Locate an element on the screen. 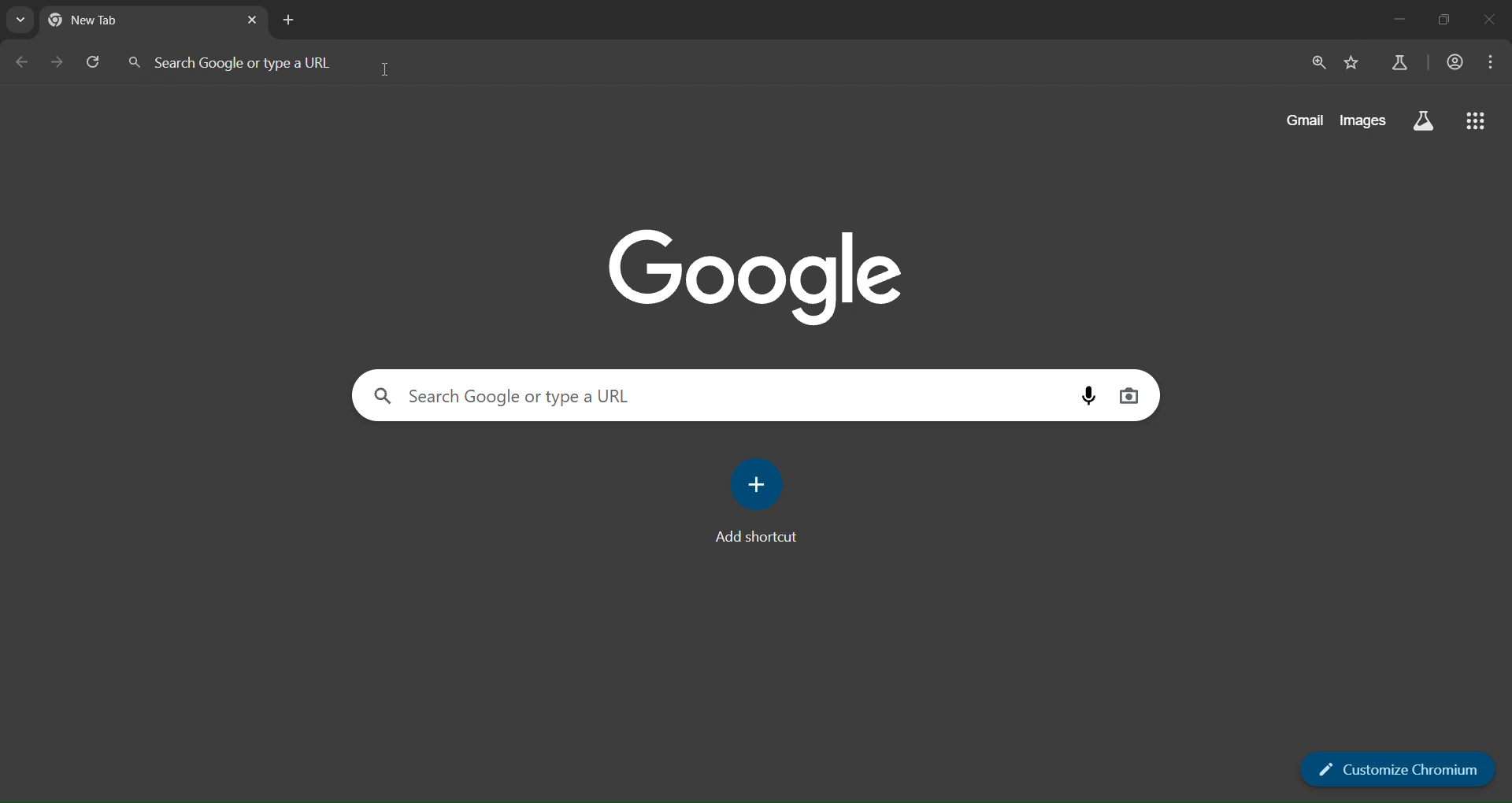  cursor is located at coordinates (389, 67).